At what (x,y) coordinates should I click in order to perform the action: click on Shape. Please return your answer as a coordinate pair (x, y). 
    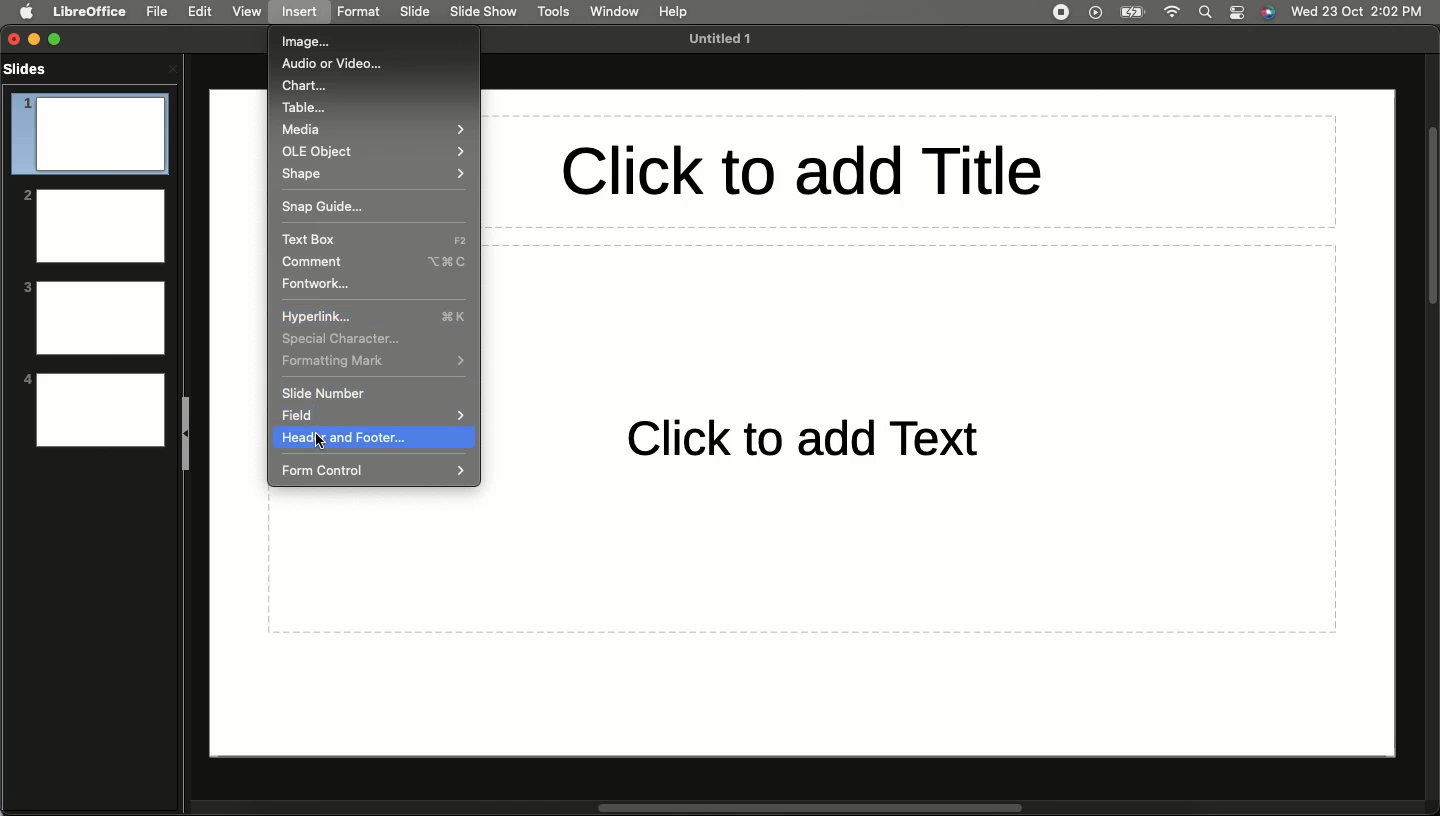
    Looking at the image, I should click on (373, 175).